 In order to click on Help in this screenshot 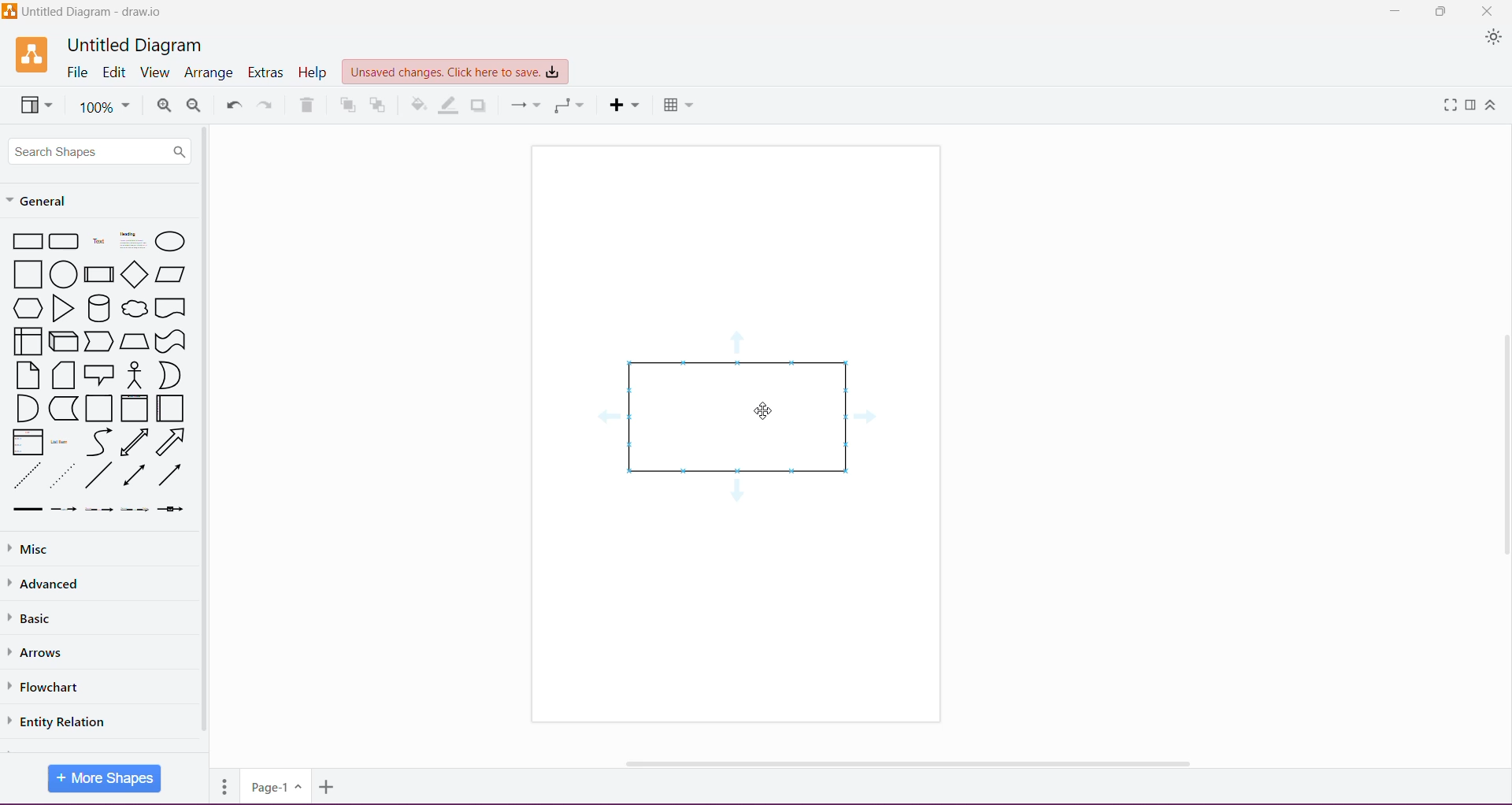, I will do `click(313, 73)`.